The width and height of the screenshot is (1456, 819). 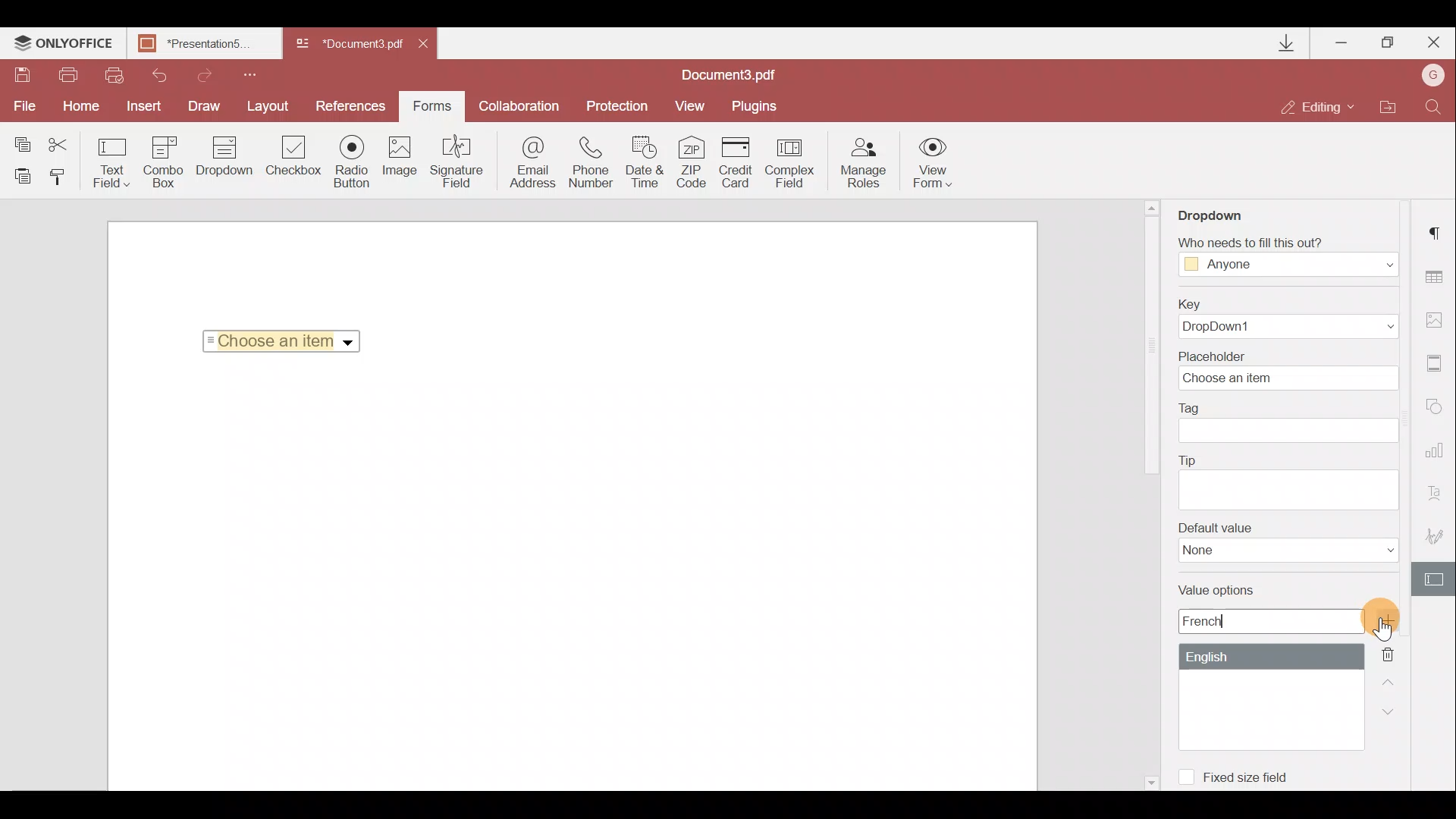 I want to click on Down, so click(x=1393, y=711).